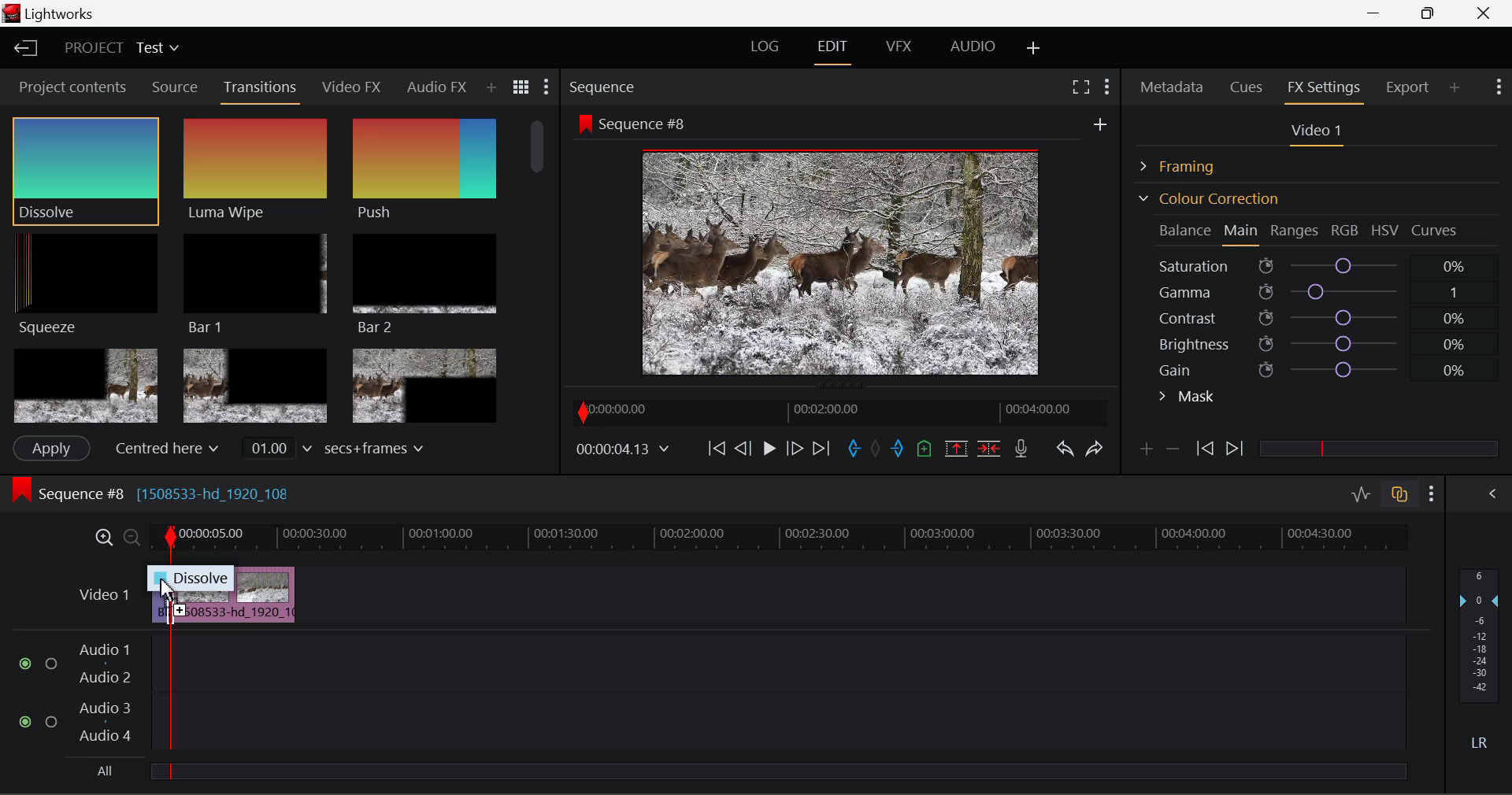 The height and width of the screenshot is (795, 1512). Describe the element at coordinates (169, 448) in the screenshot. I see `Centered here` at that location.